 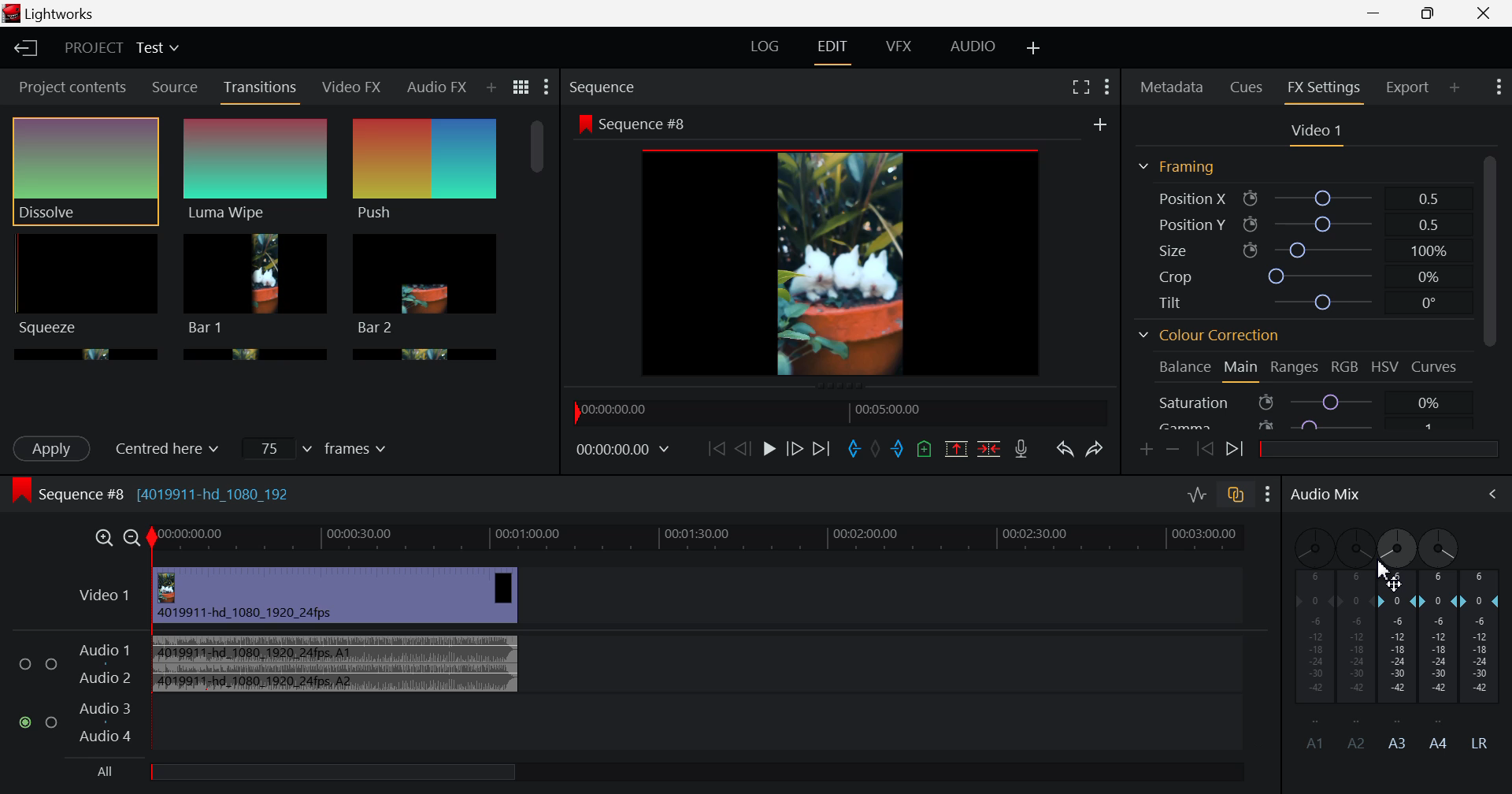 I want to click on A1 Channel disabled, so click(x=1308, y=639).